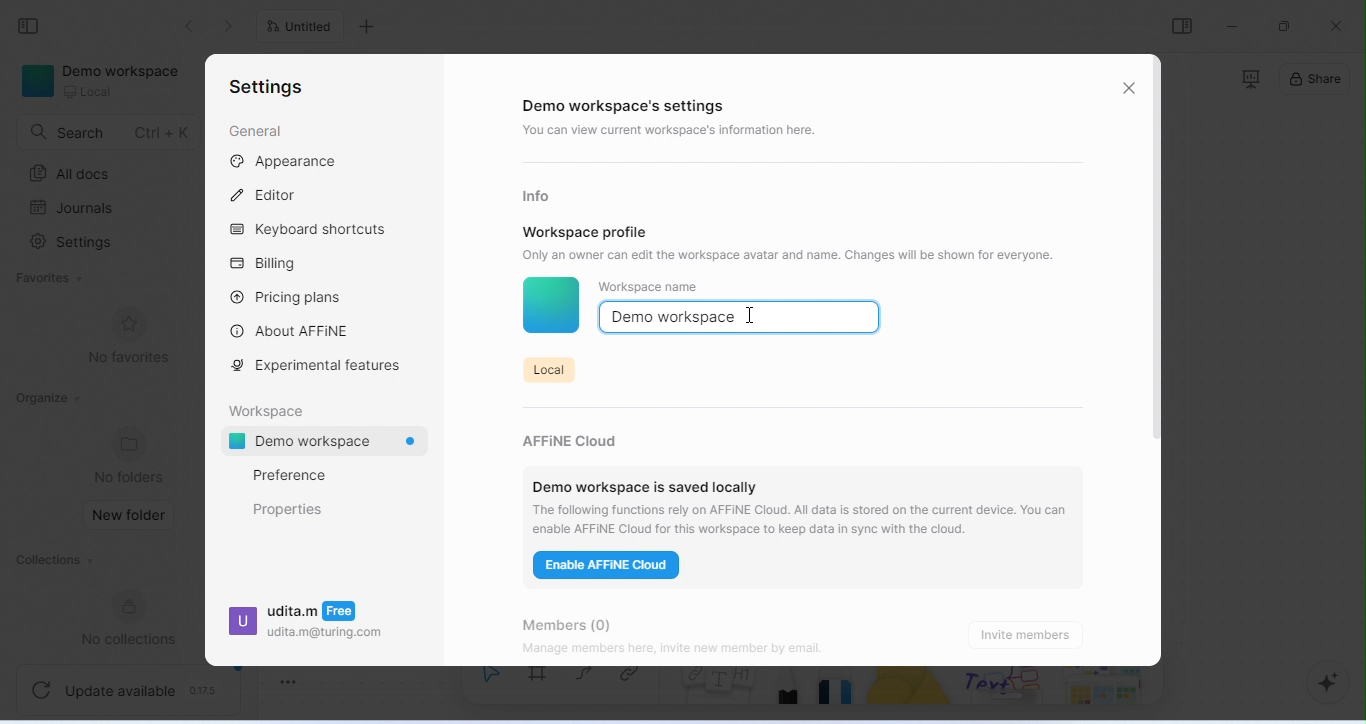  I want to click on workspace icon, so click(550, 307).